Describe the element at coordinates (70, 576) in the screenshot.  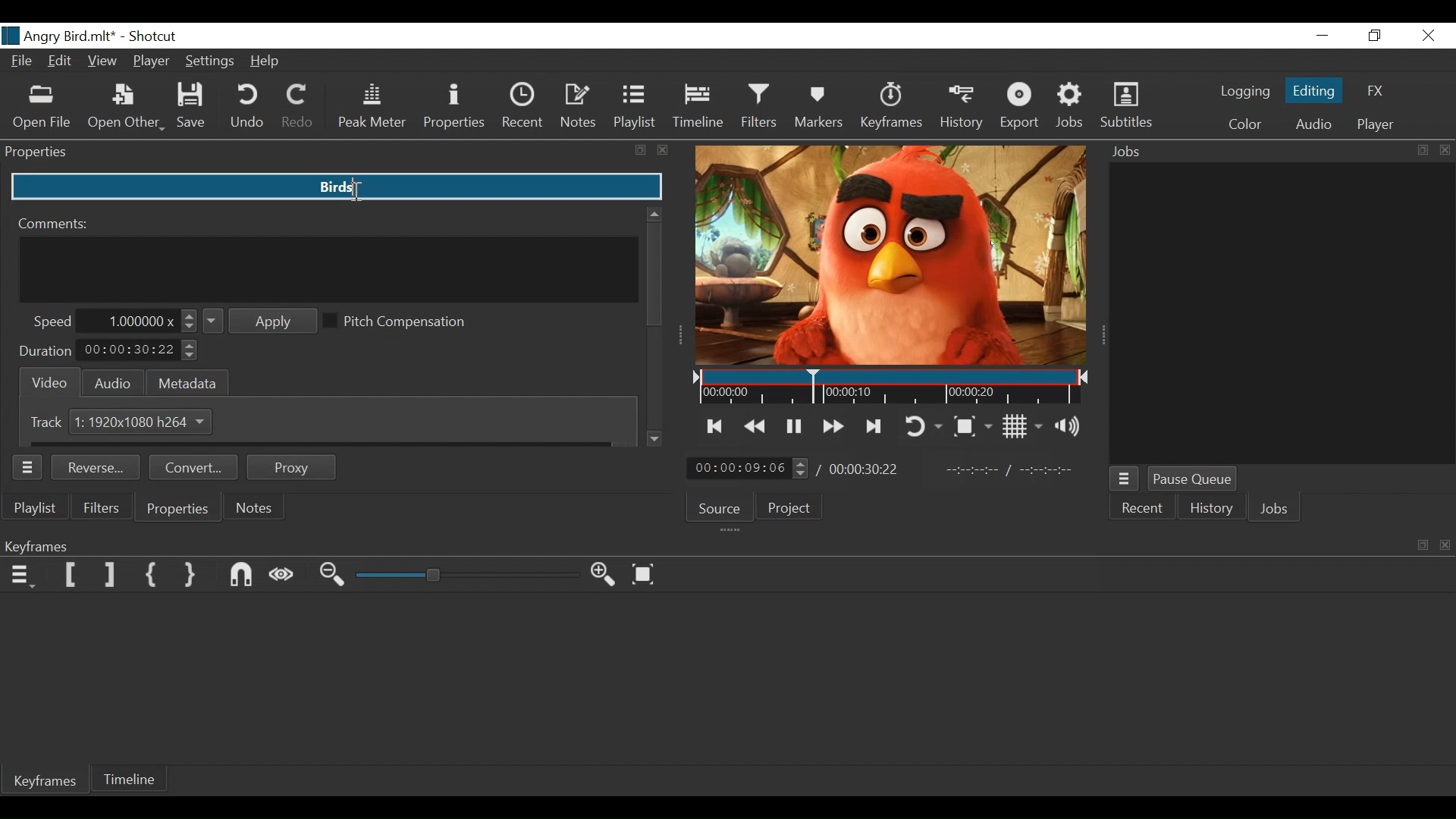
I see `Set Filter First` at that location.